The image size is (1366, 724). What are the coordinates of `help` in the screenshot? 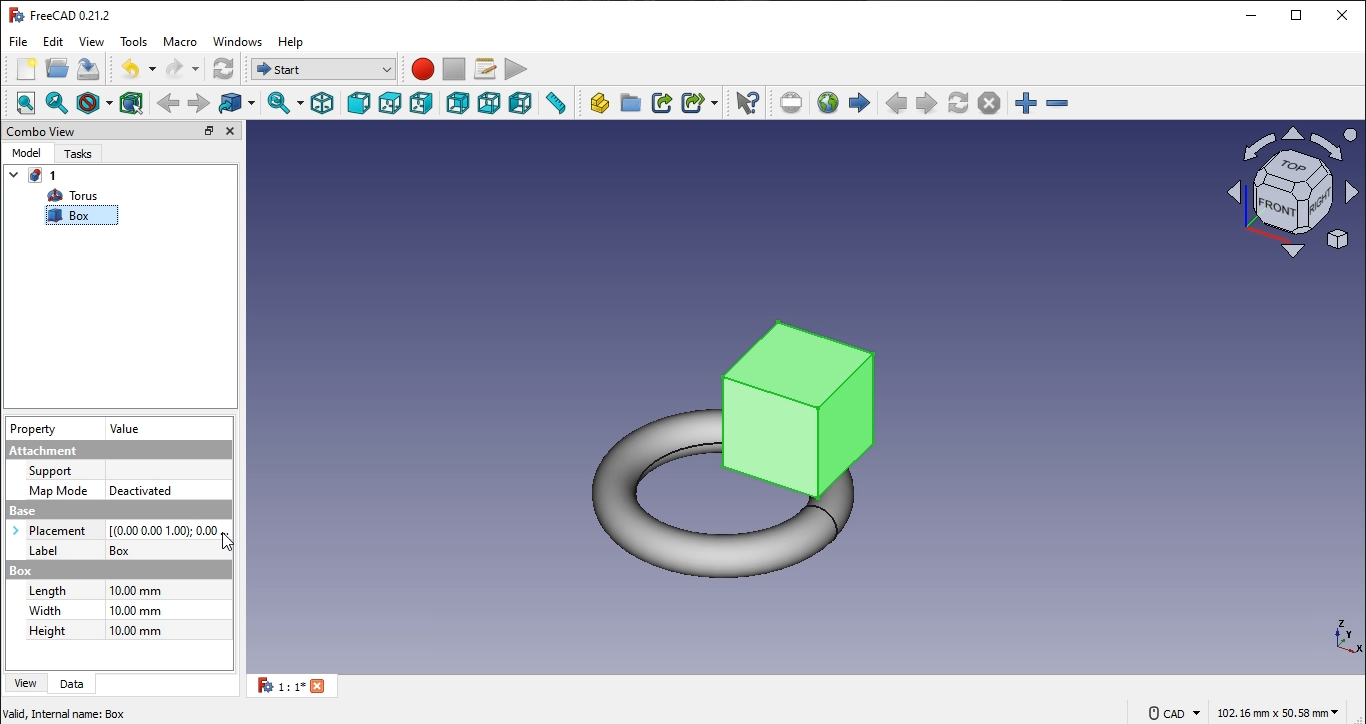 It's located at (293, 42).